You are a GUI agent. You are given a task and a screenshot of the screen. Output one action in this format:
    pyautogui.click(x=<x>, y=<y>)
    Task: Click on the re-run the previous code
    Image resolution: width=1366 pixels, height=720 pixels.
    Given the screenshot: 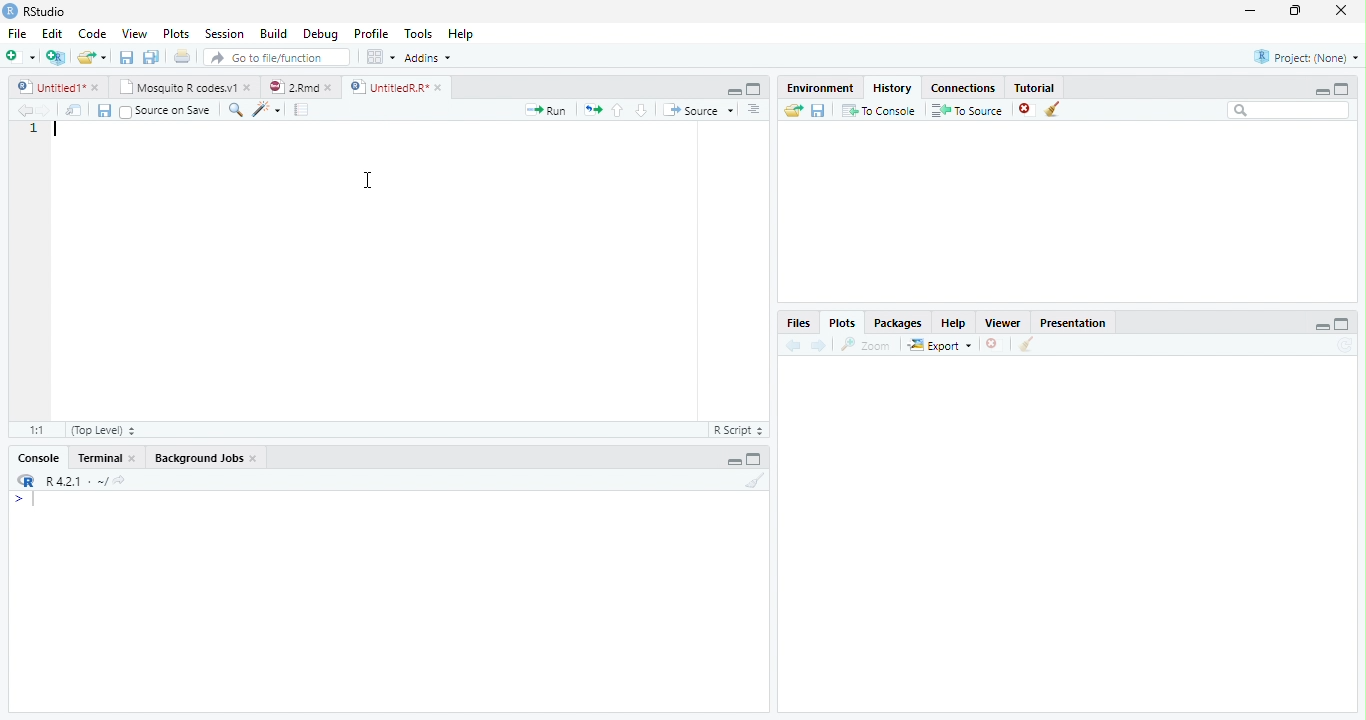 What is the action you would take?
    pyautogui.click(x=592, y=109)
    